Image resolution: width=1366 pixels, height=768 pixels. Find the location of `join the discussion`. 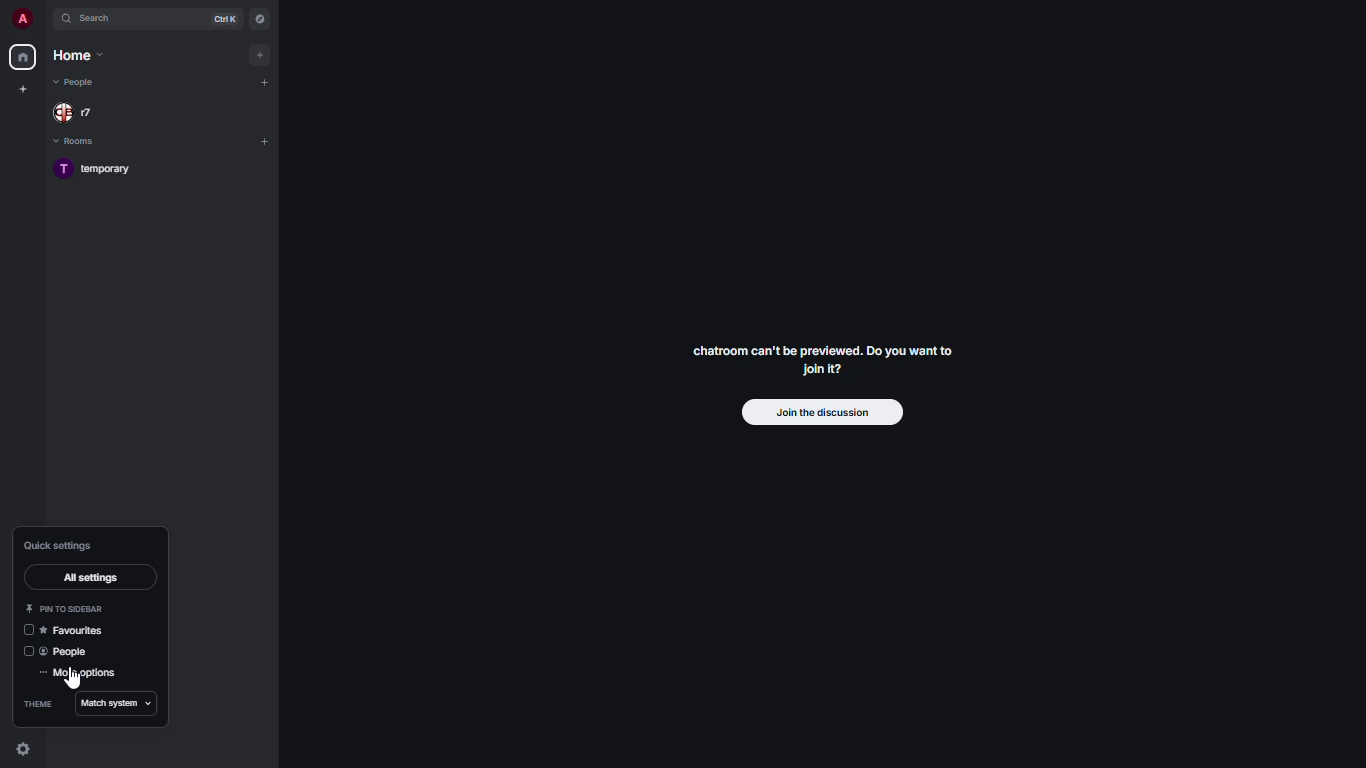

join the discussion is located at coordinates (822, 414).